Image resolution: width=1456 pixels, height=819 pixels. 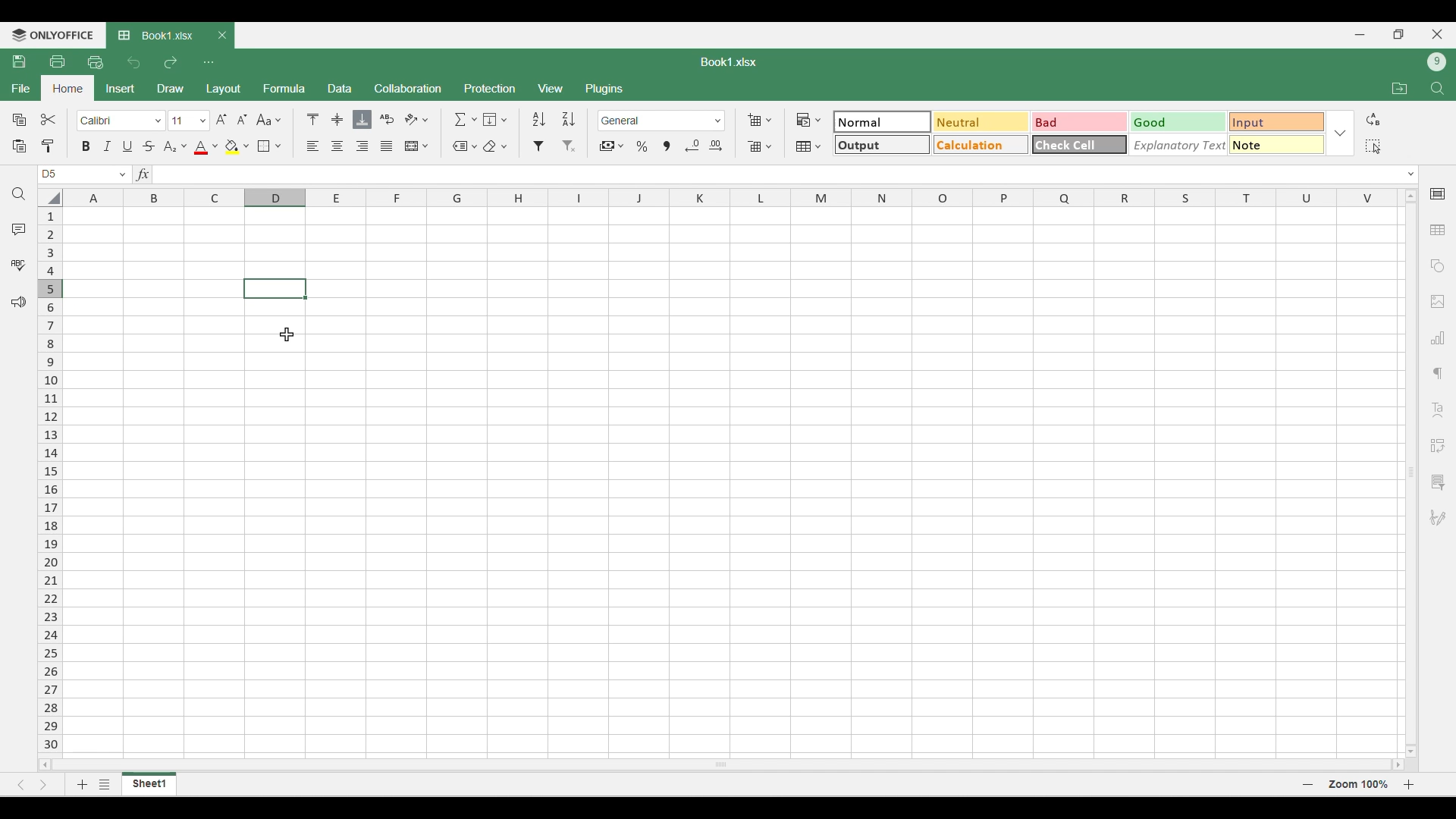 What do you see at coordinates (18, 61) in the screenshot?
I see `Save` at bounding box center [18, 61].